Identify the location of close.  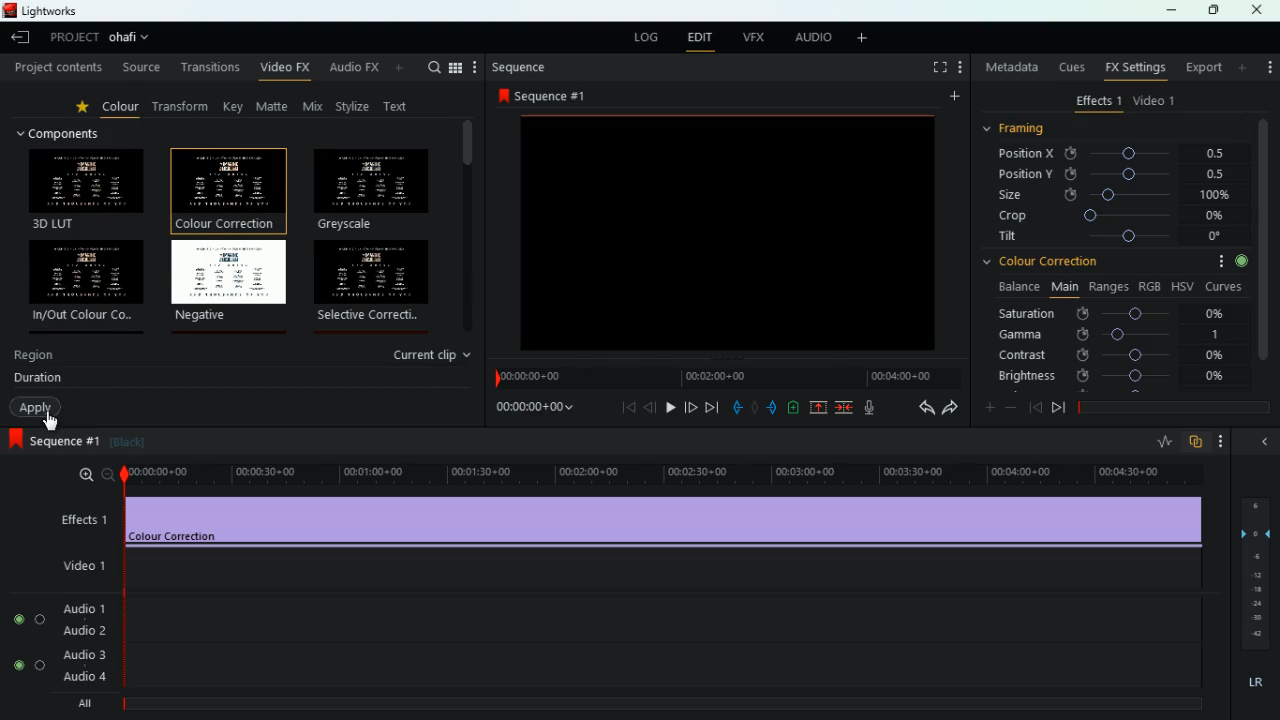
(1262, 10).